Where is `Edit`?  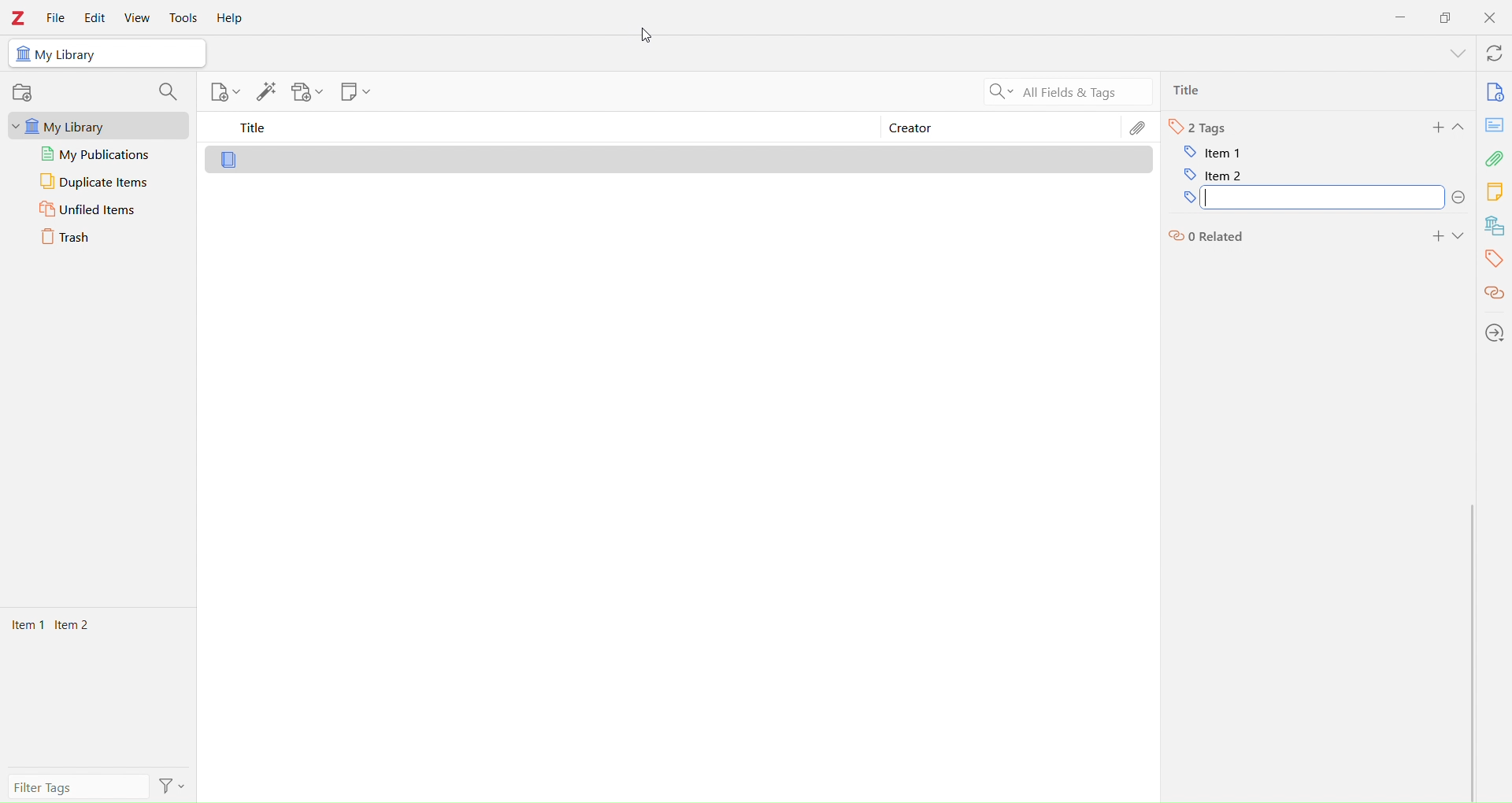 Edit is located at coordinates (1140, 128).